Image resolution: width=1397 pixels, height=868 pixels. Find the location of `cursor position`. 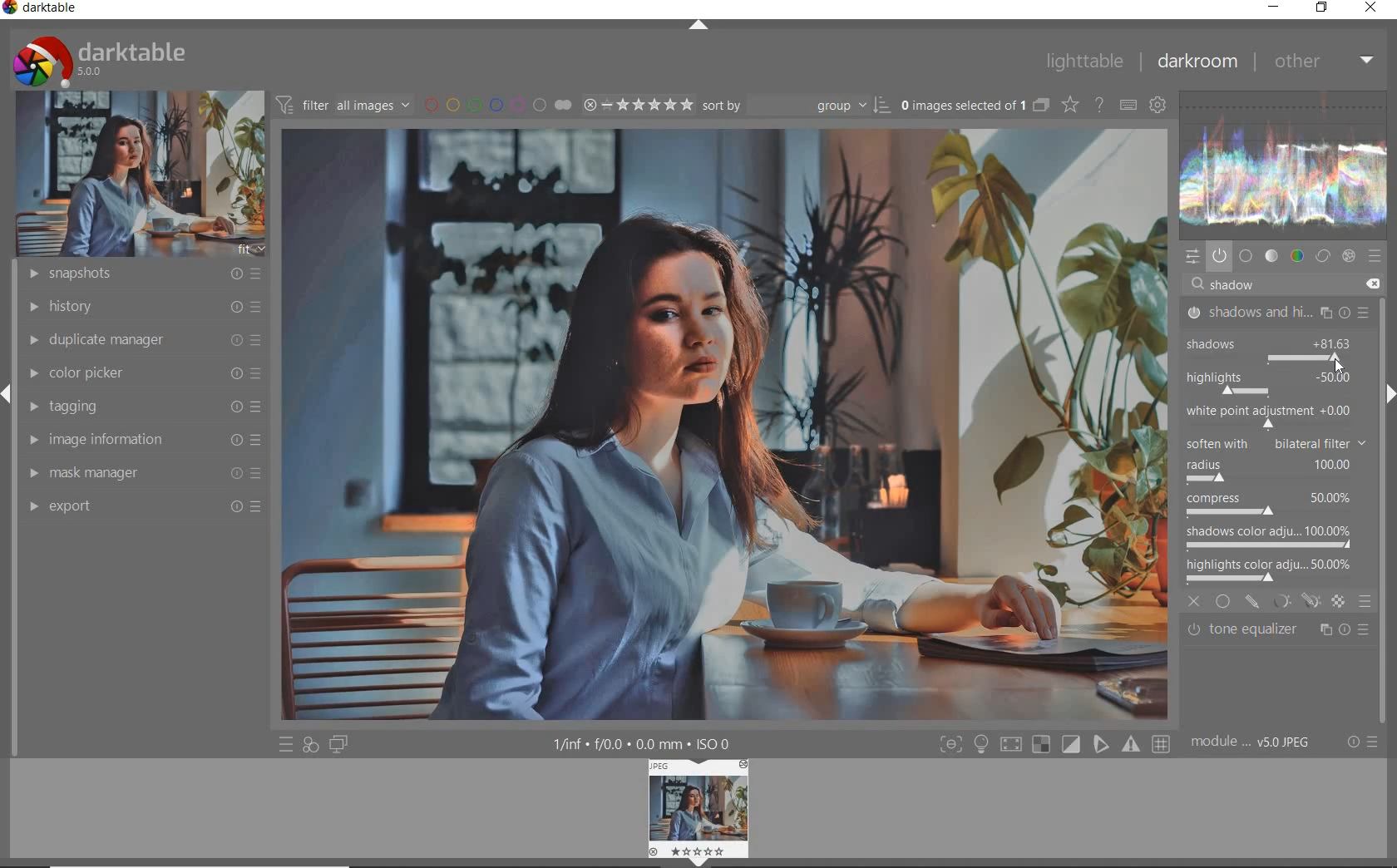

cursor position is located at coordinates (1338, 364).